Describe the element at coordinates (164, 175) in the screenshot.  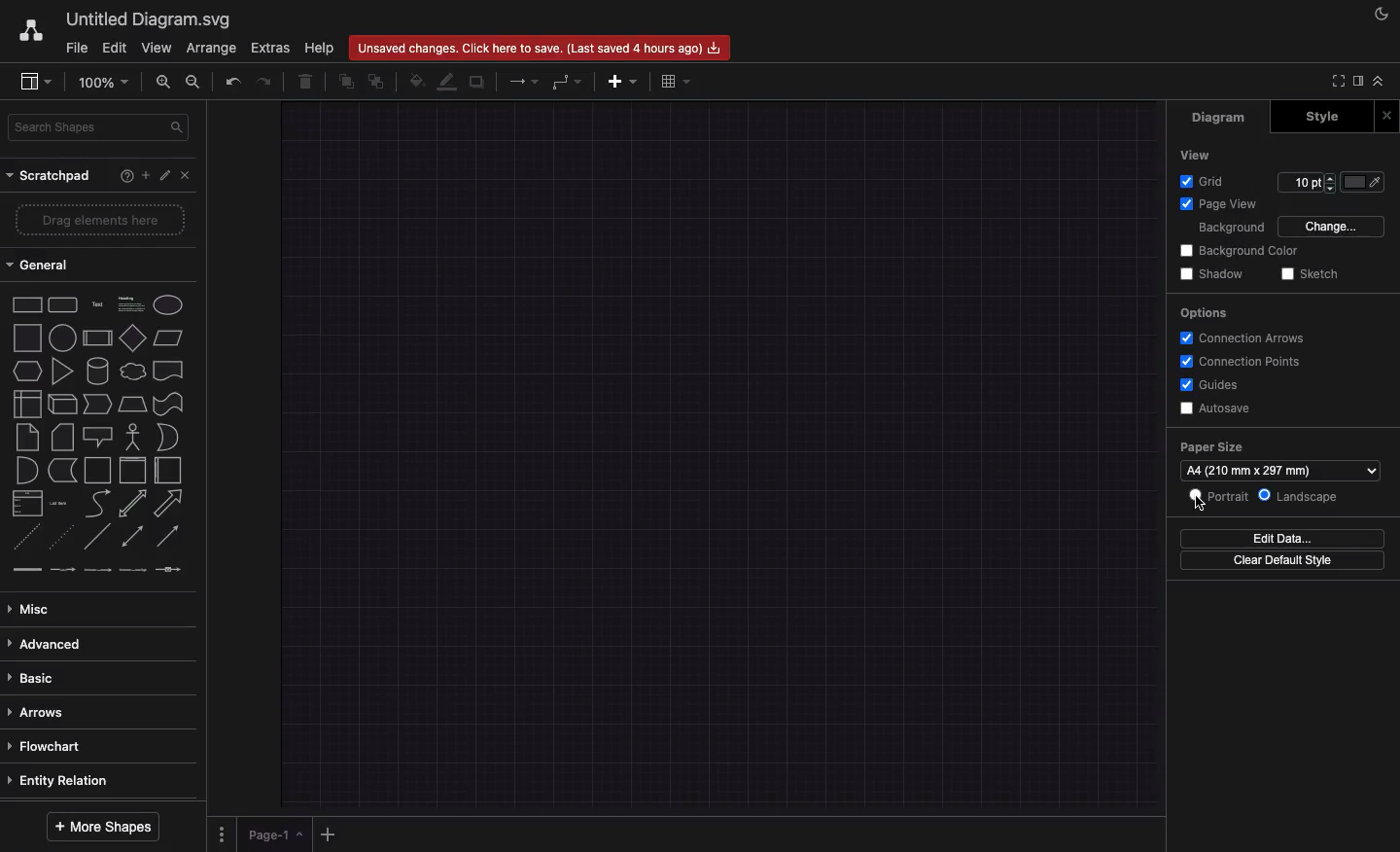
I see `Tools` at that location.